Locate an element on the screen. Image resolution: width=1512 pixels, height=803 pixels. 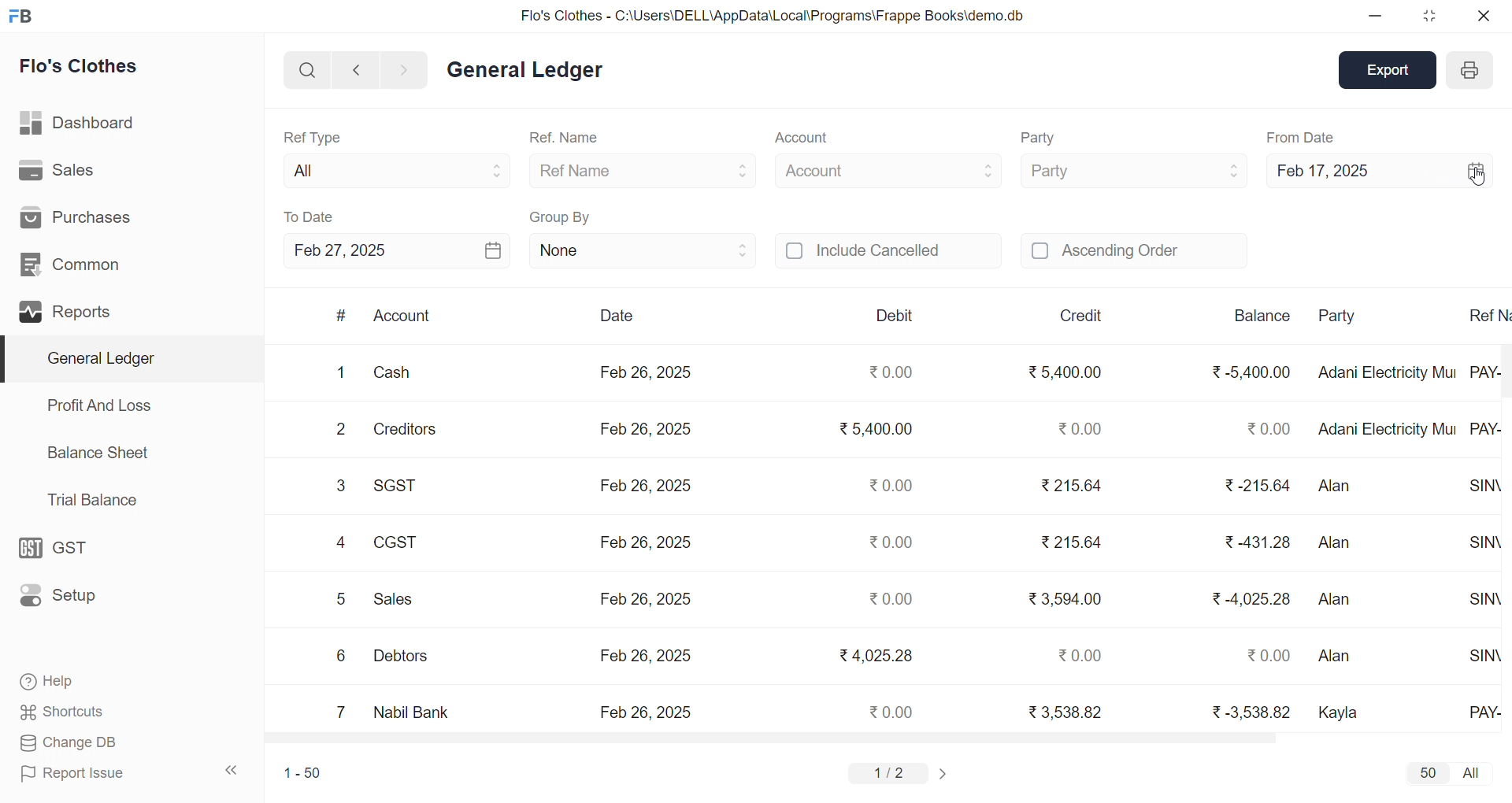
Include Cancelled is located at coordinates (888, 252).